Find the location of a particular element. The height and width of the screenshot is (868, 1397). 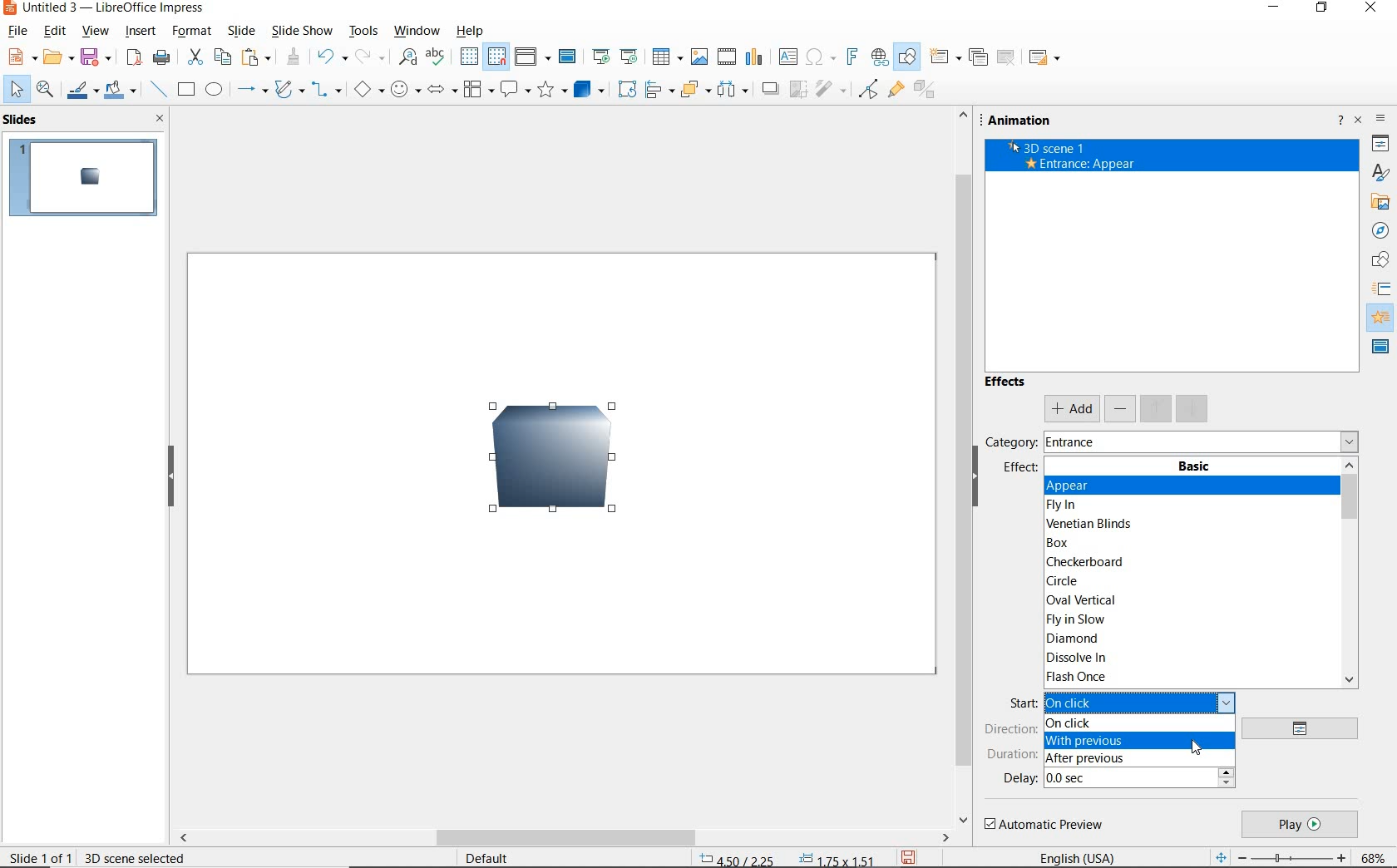

category is located at coordinates (1009, 441).